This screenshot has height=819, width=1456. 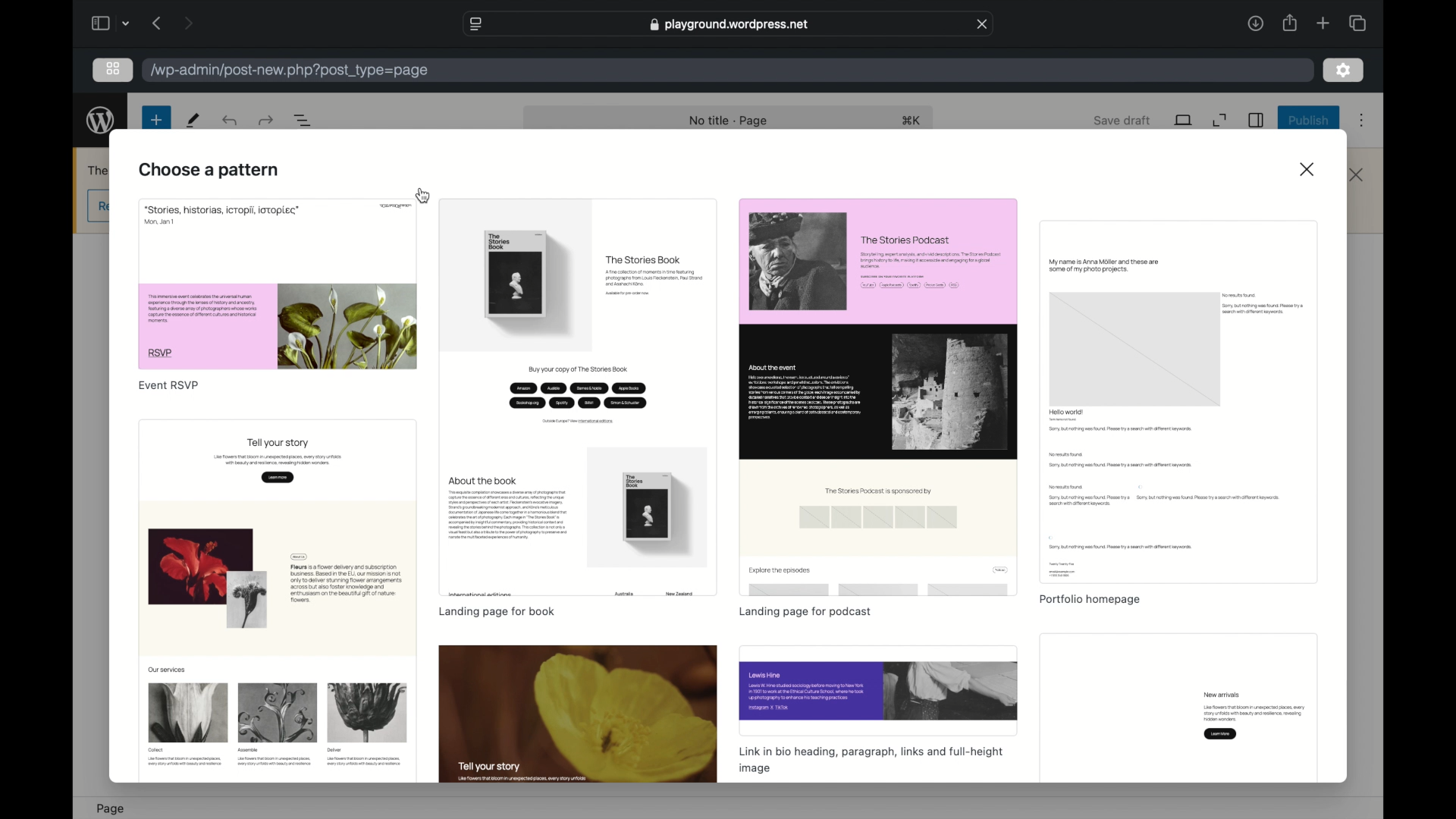 I want to click on close, so click(x=1309, y=170).